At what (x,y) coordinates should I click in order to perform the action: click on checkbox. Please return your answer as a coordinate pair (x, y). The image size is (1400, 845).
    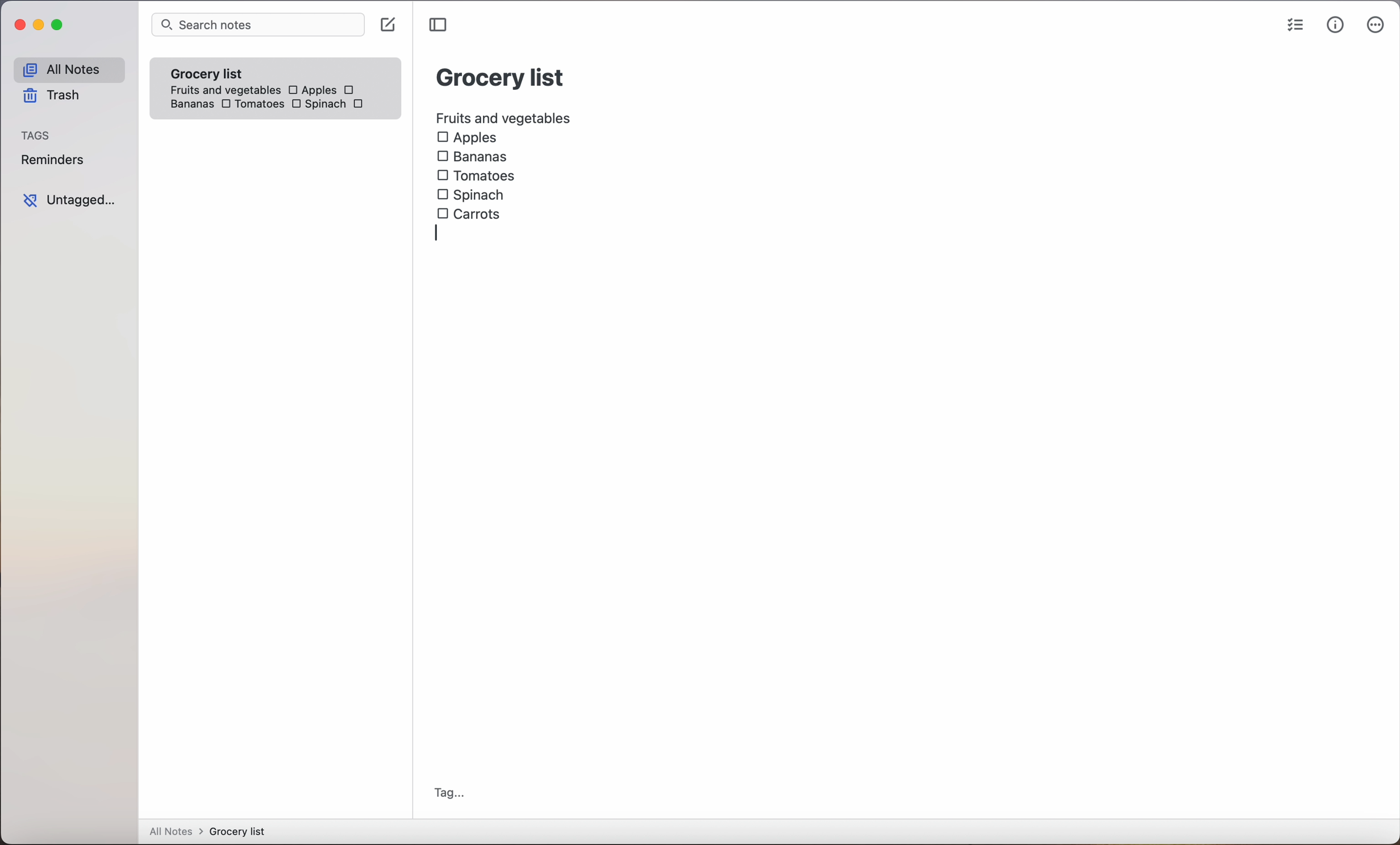
    Looking at the image, I should click on (351, 90).